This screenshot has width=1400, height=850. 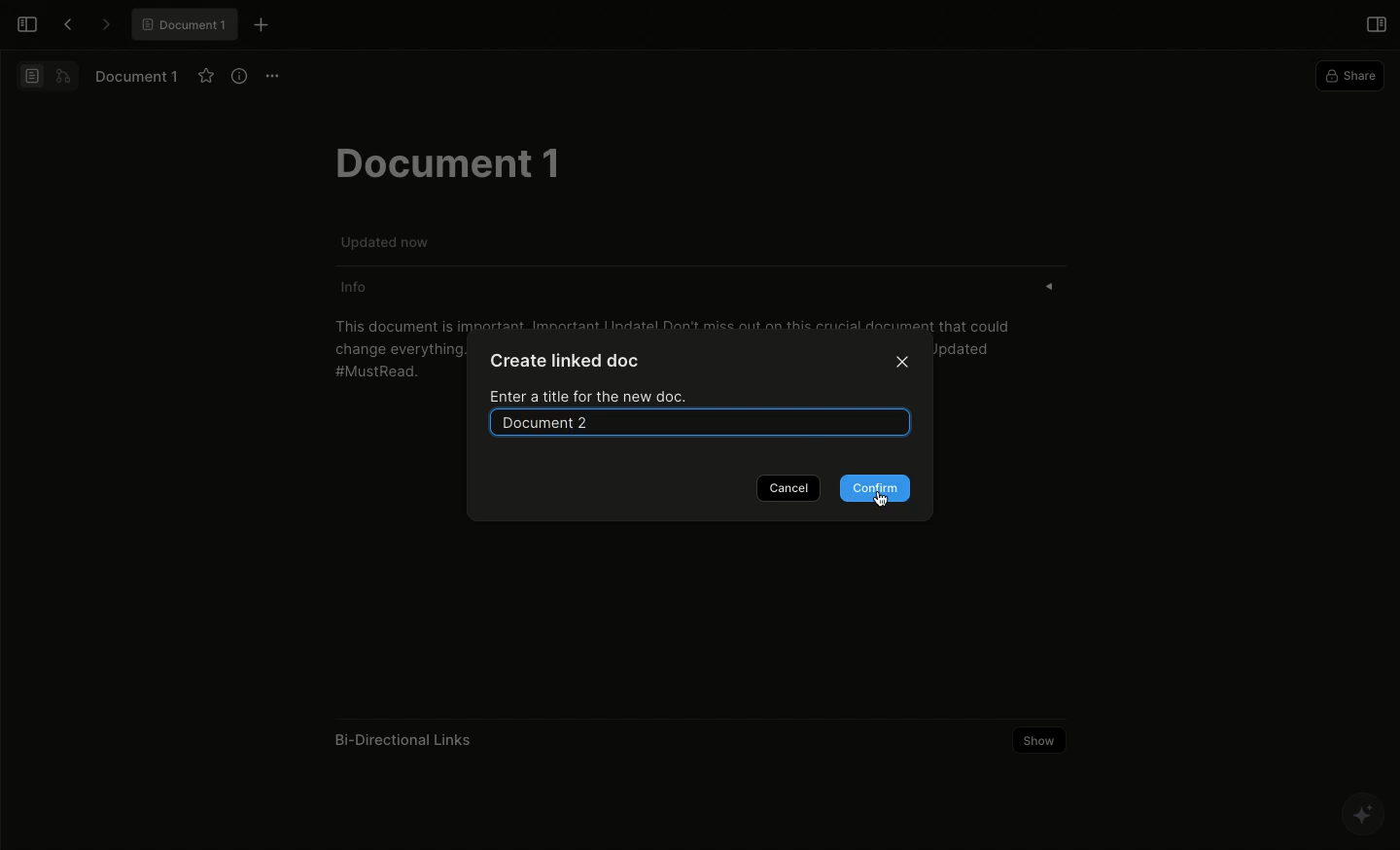 I want to click on Bi-Directional Links, so click(x=405, y=739).